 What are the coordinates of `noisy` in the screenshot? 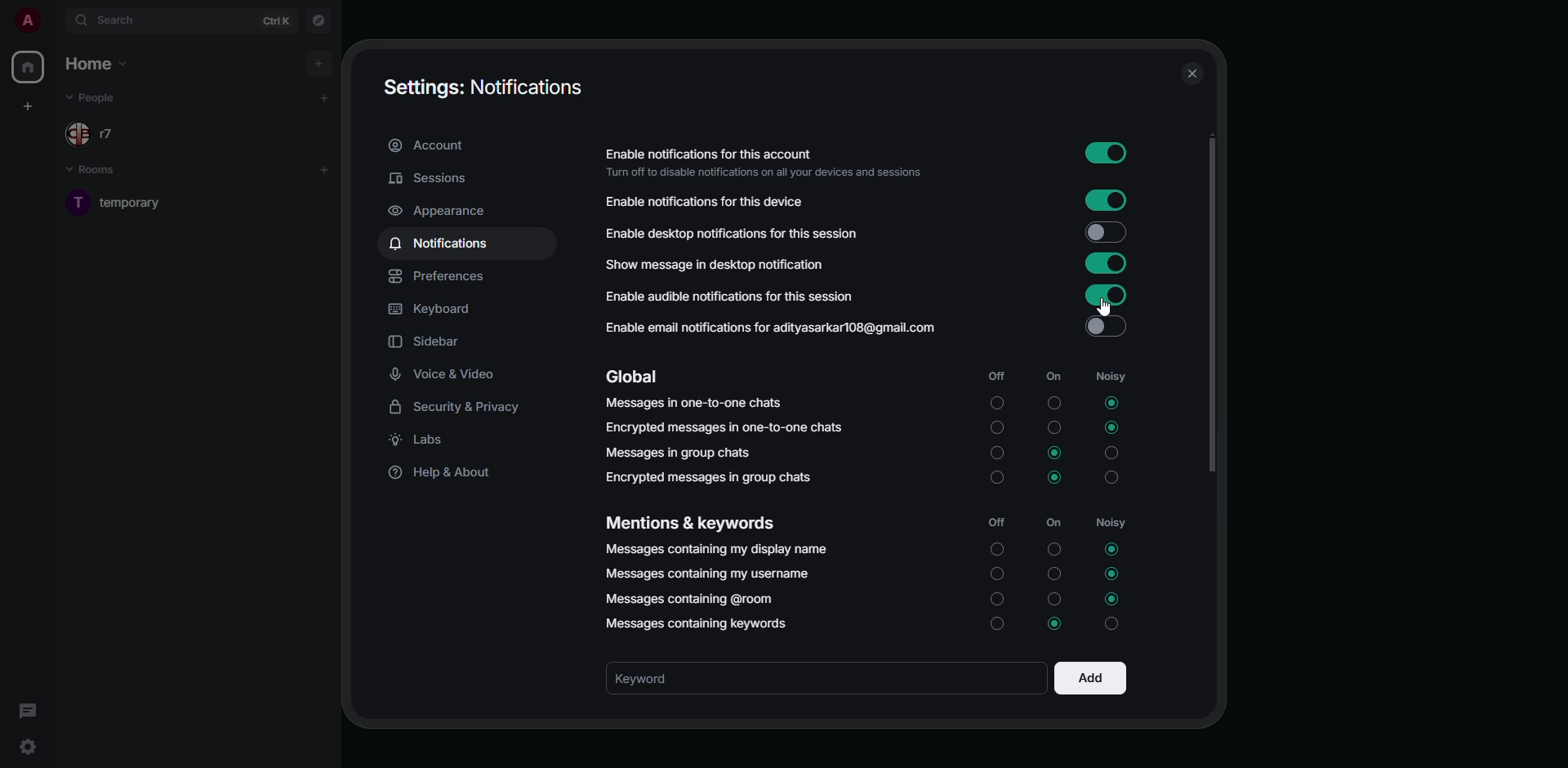 It's located at (1116, 625).